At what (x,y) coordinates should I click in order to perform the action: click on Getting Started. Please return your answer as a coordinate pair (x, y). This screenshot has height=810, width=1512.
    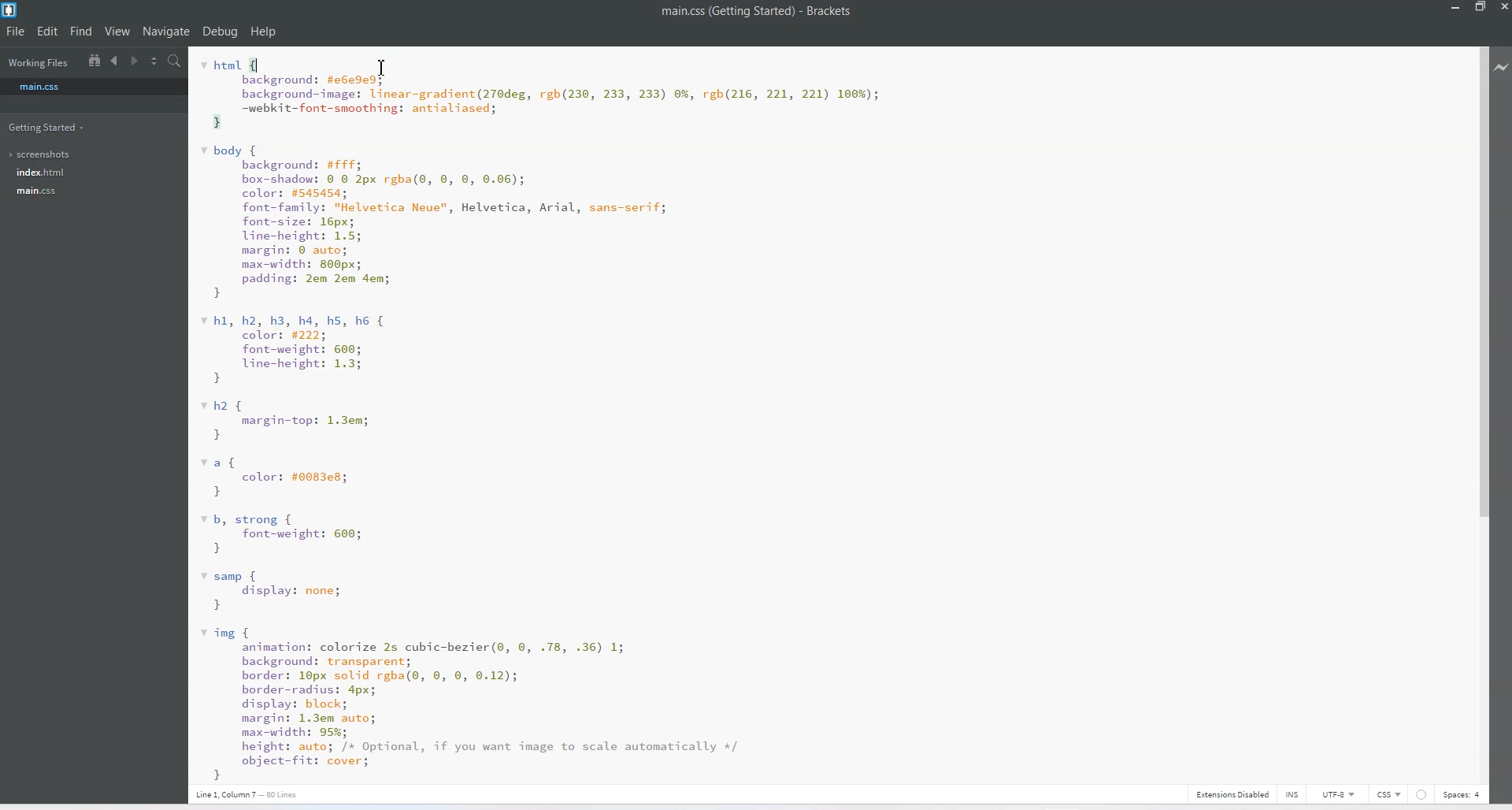
    Looking at the image, I should click on (48, 127).